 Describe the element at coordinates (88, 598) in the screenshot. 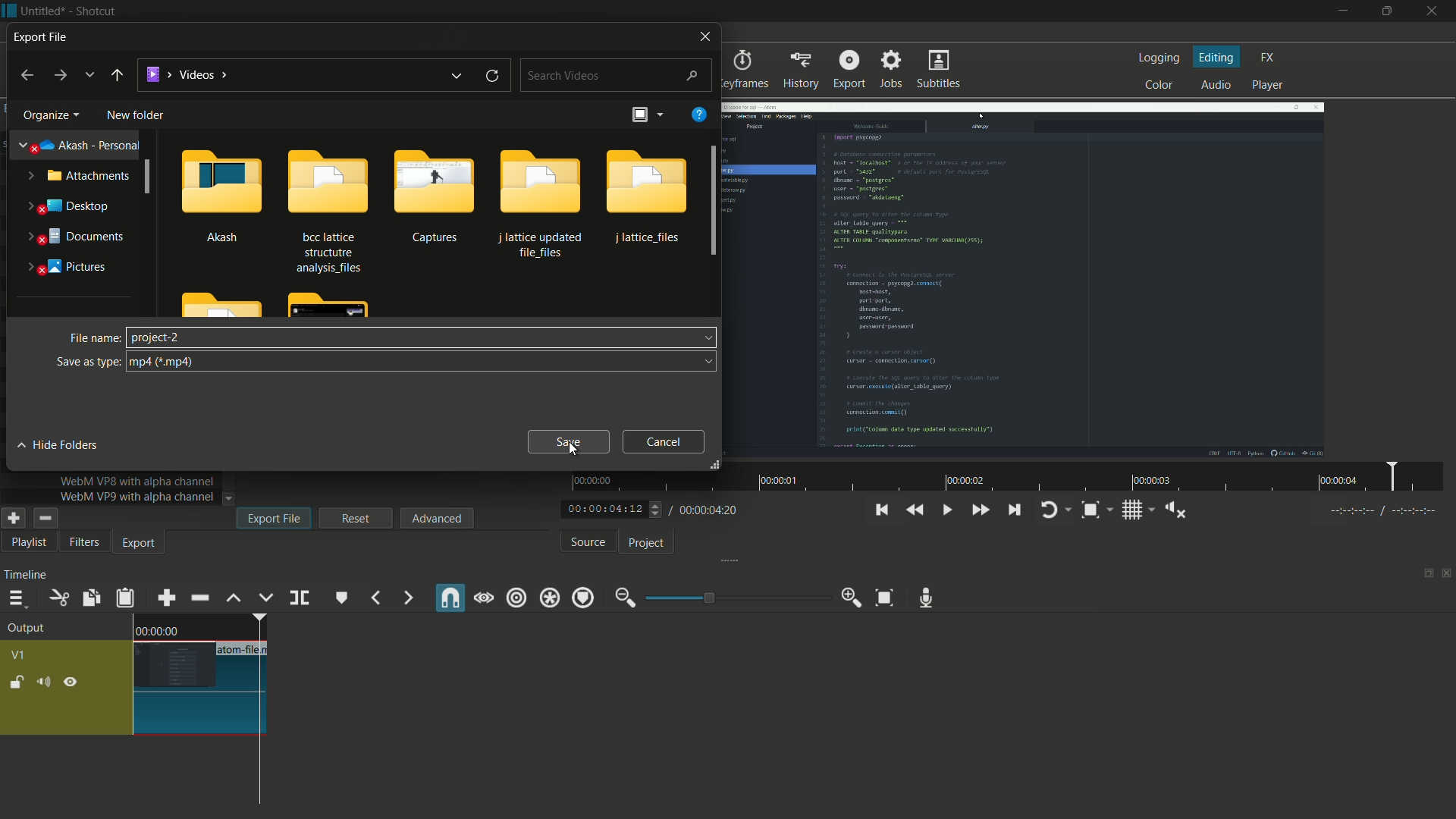

I see `copy` at that location.